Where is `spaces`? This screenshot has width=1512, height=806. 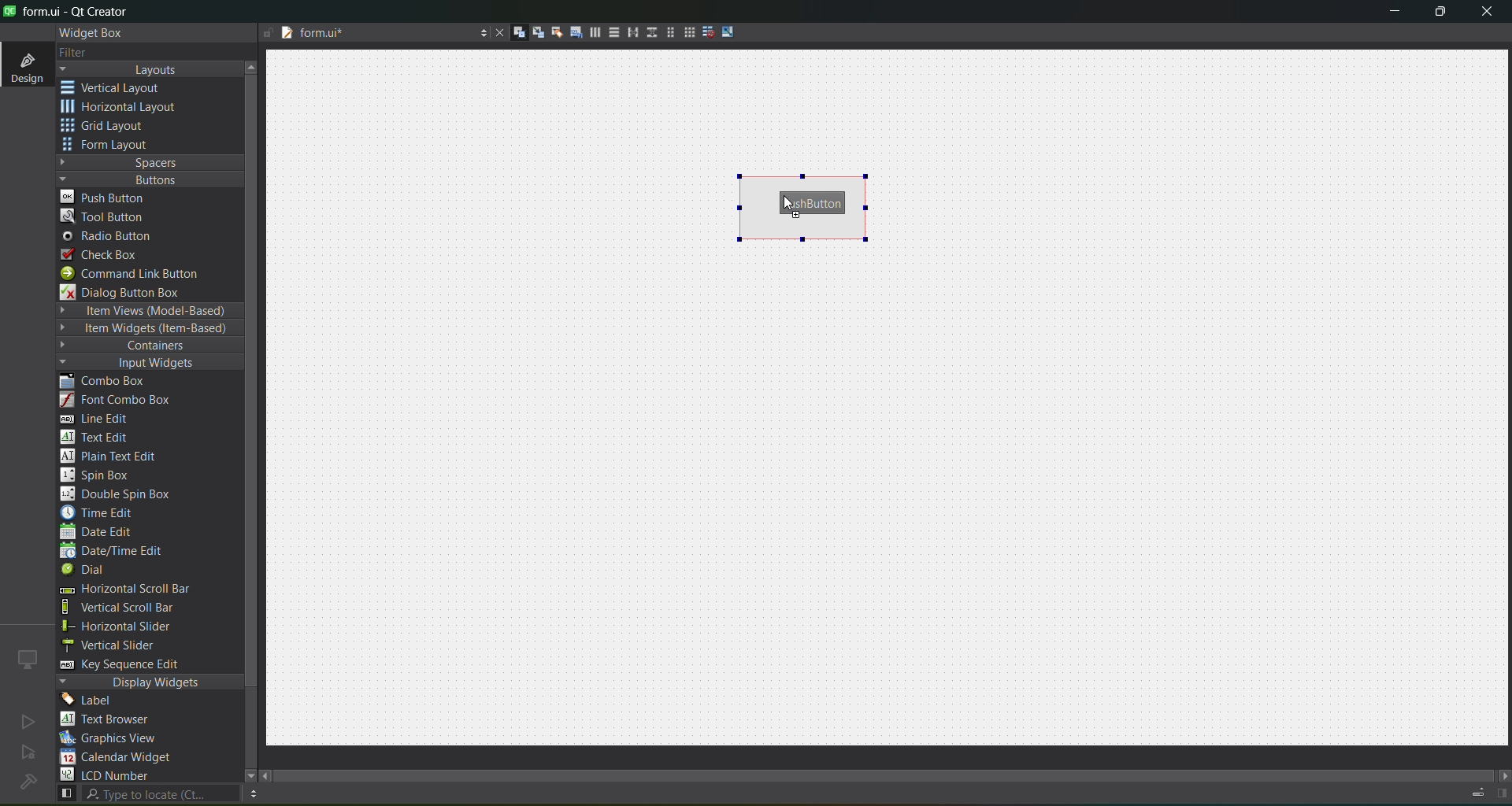 spaces is located at coordinates (150, 162).